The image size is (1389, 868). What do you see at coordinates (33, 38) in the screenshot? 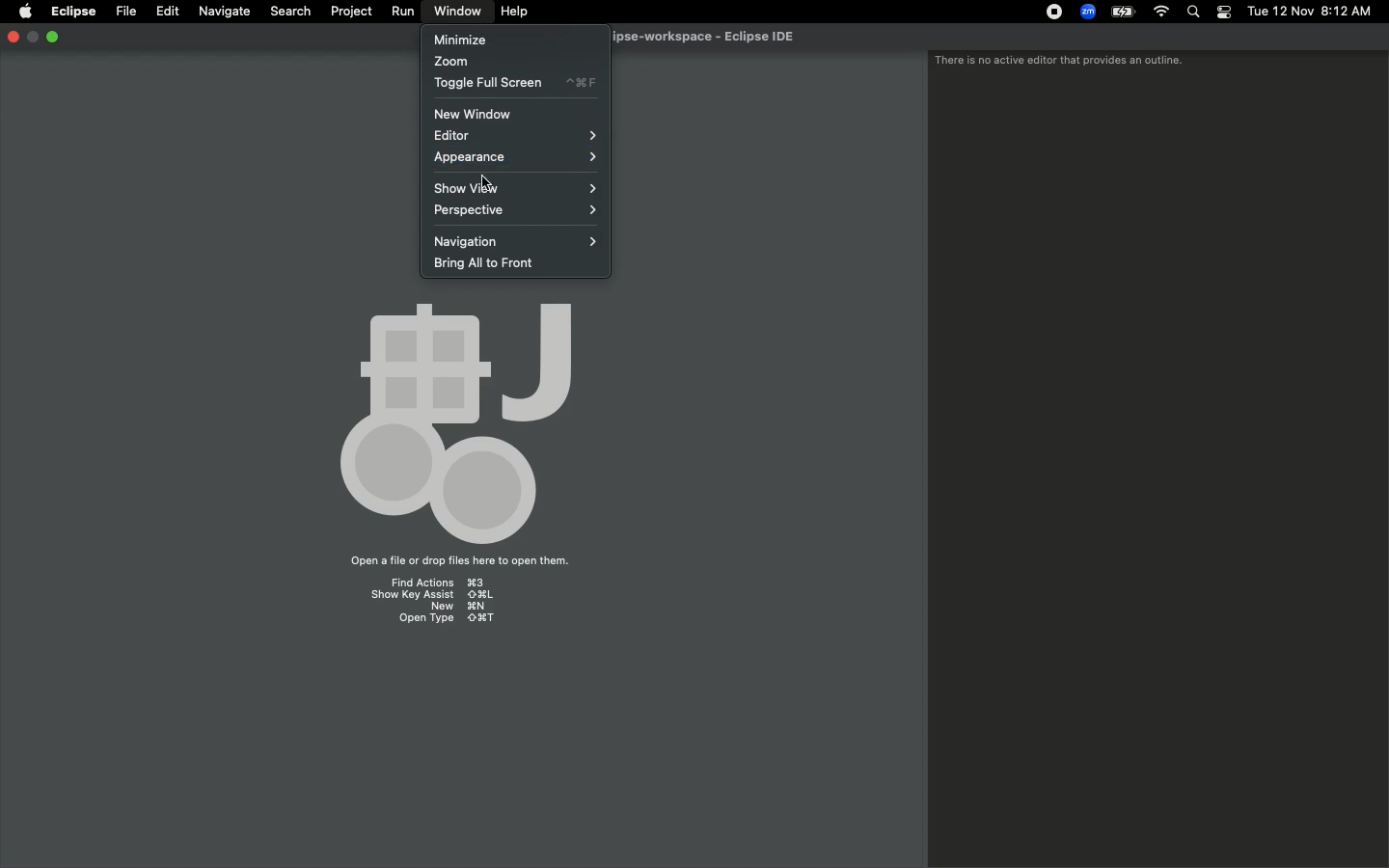
I see `Minimize` at bounding box center [33, 38].